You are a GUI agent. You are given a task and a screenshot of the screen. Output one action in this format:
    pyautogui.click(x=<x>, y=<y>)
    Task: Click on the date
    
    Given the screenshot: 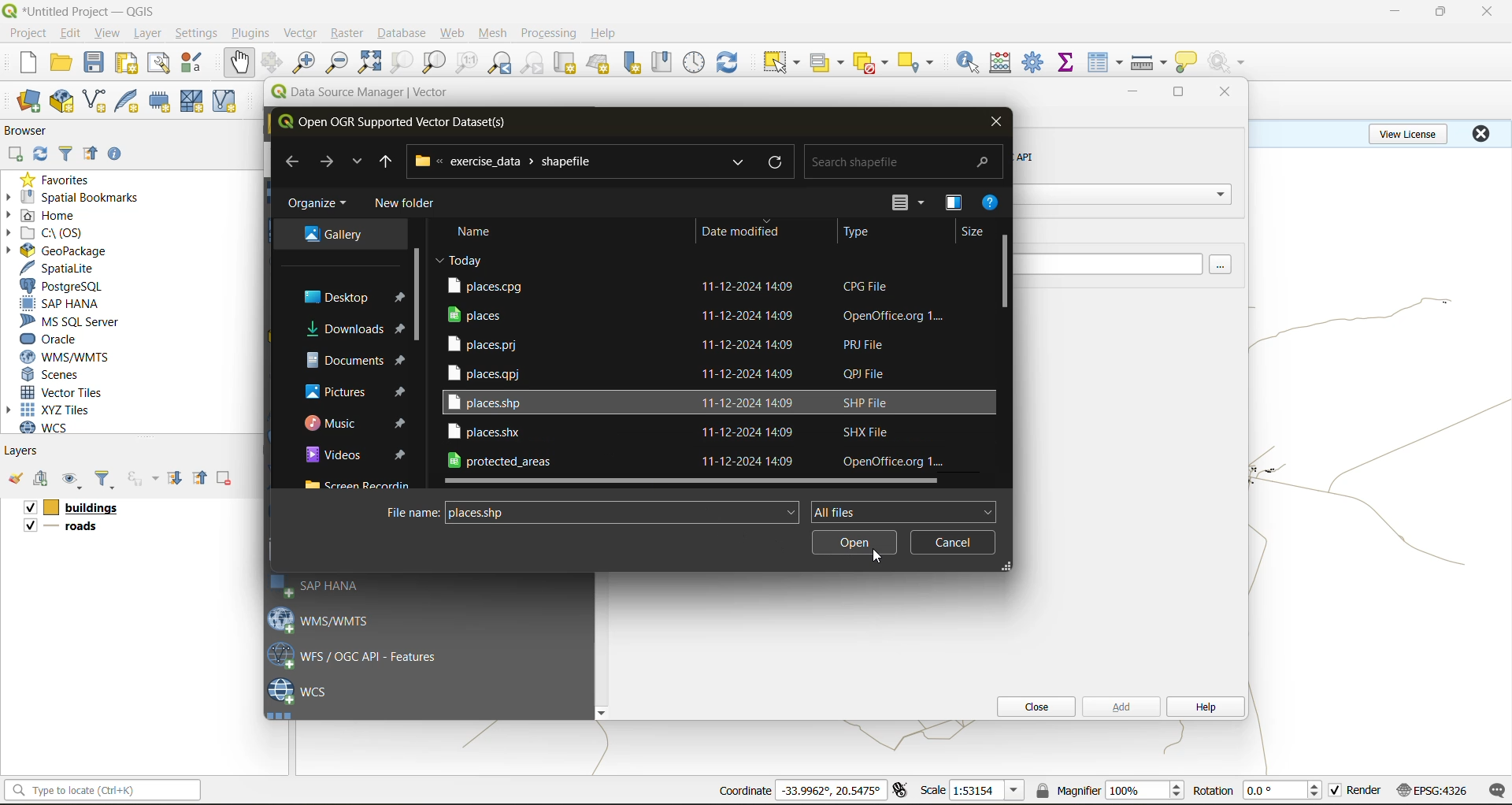 What is the action you would take?
    pyautogui.click(x=461, y=259)
    